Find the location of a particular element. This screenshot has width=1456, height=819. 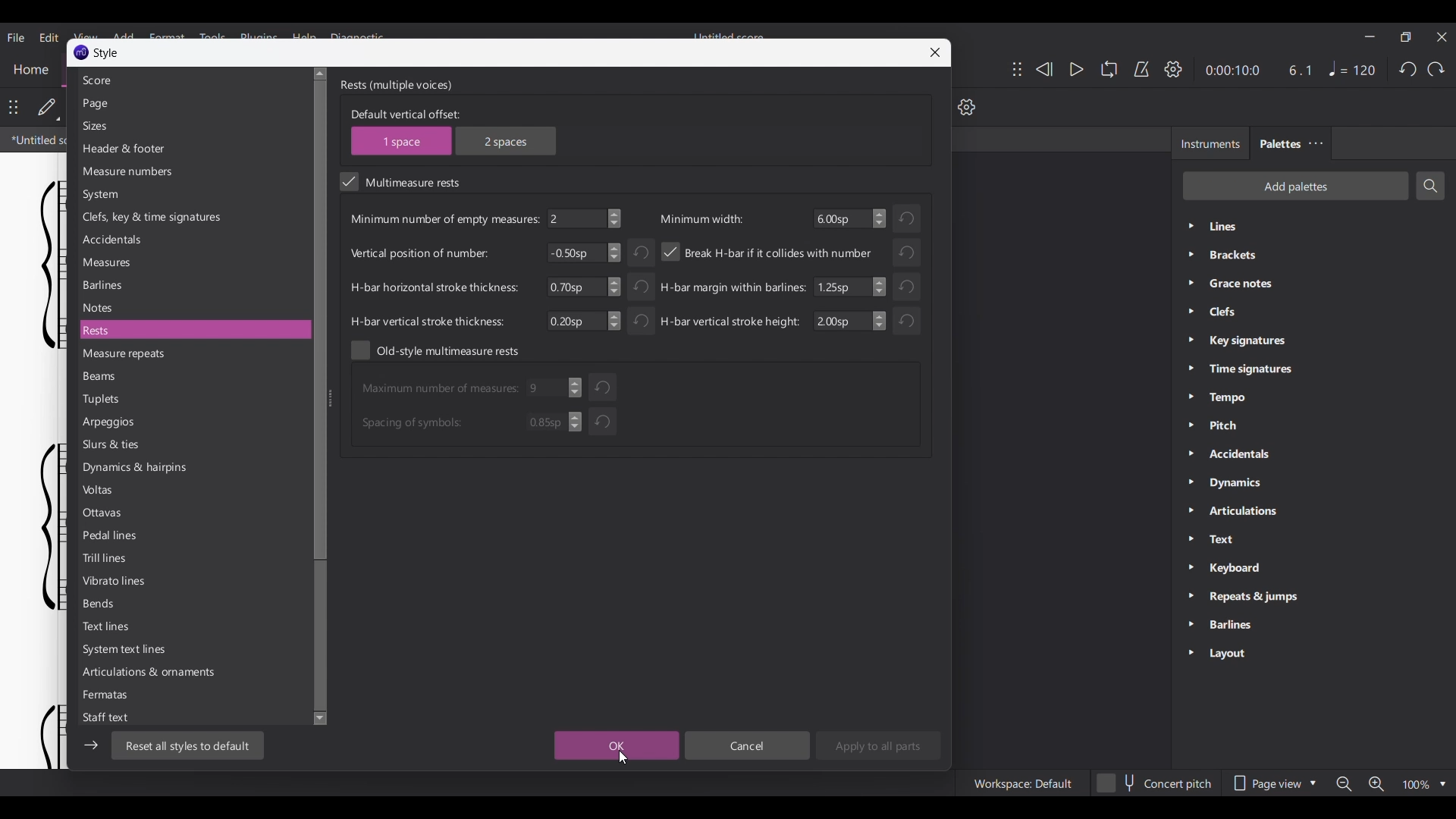

Page view options is located at coordinates (1273, 783).